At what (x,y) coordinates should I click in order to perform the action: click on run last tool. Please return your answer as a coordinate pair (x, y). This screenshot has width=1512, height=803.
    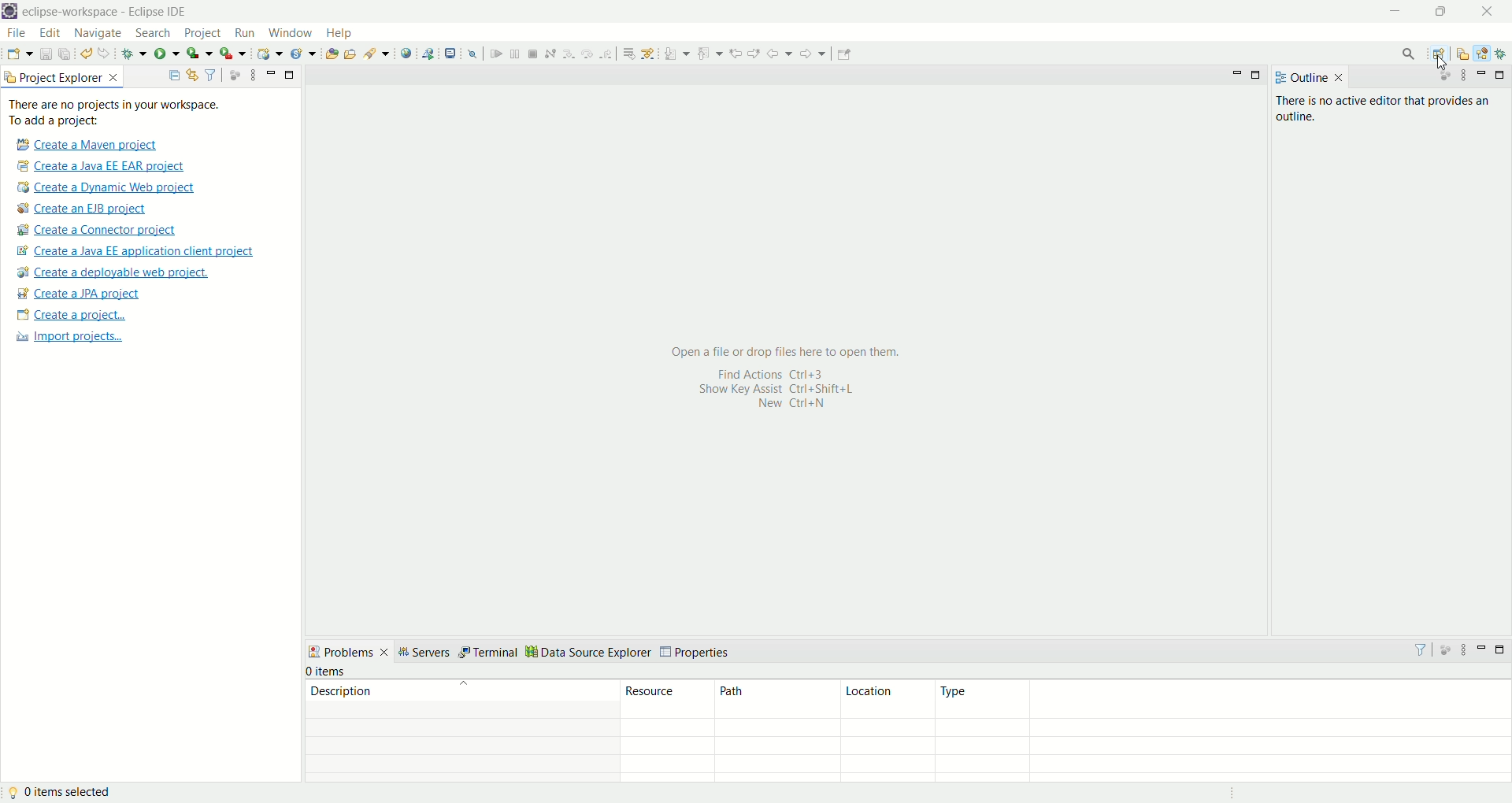
    Looking at the image, I should click on (231, 54).